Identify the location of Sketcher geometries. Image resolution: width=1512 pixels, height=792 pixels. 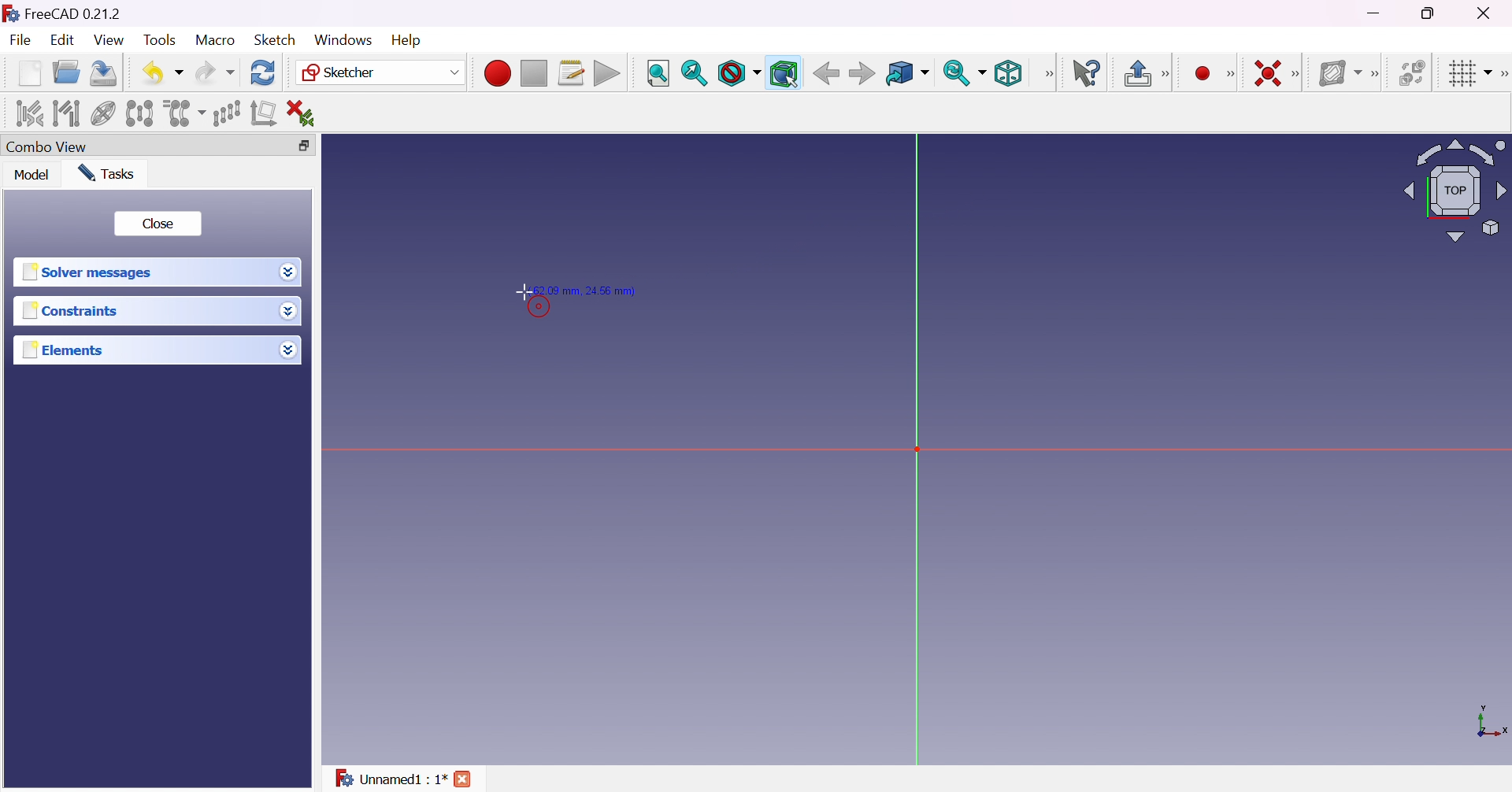
(1230, 75).